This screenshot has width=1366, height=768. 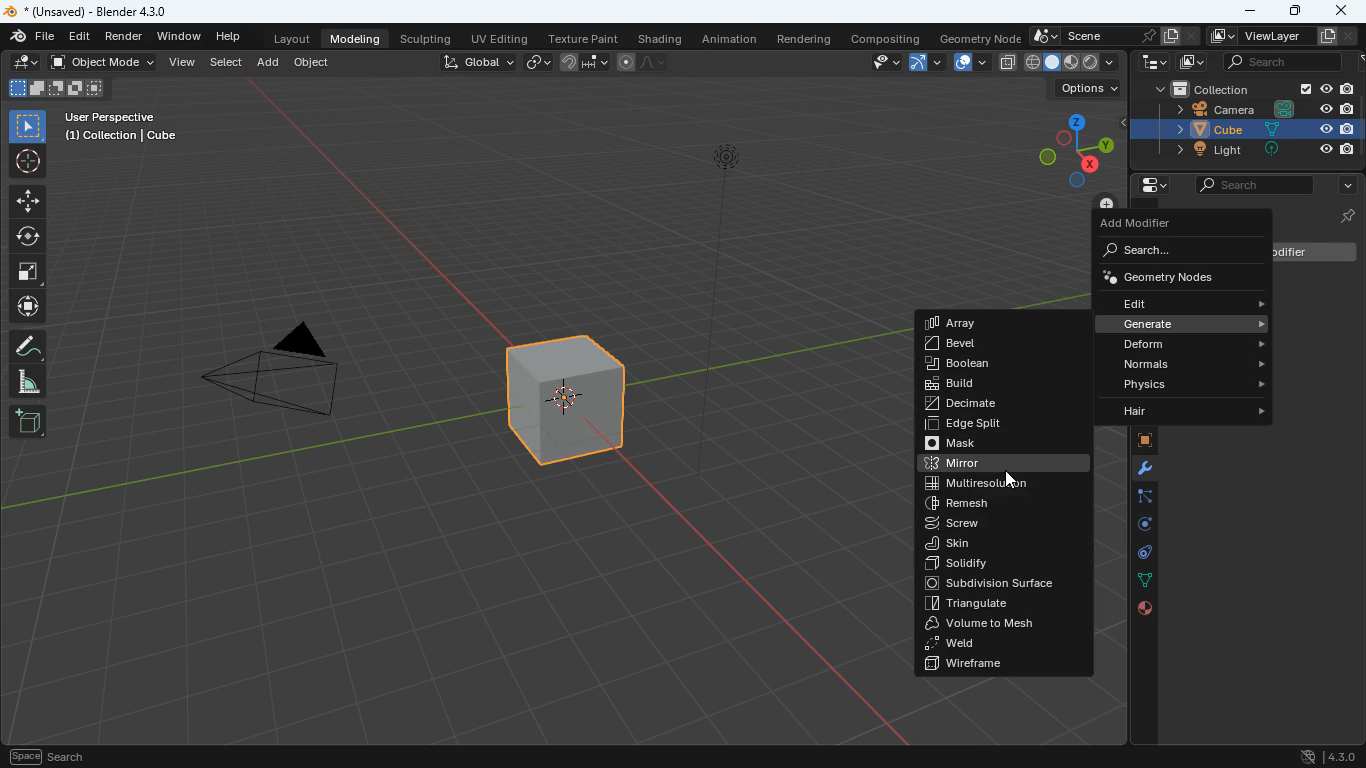 I want to click on modeling, so click(x=359, y=39).